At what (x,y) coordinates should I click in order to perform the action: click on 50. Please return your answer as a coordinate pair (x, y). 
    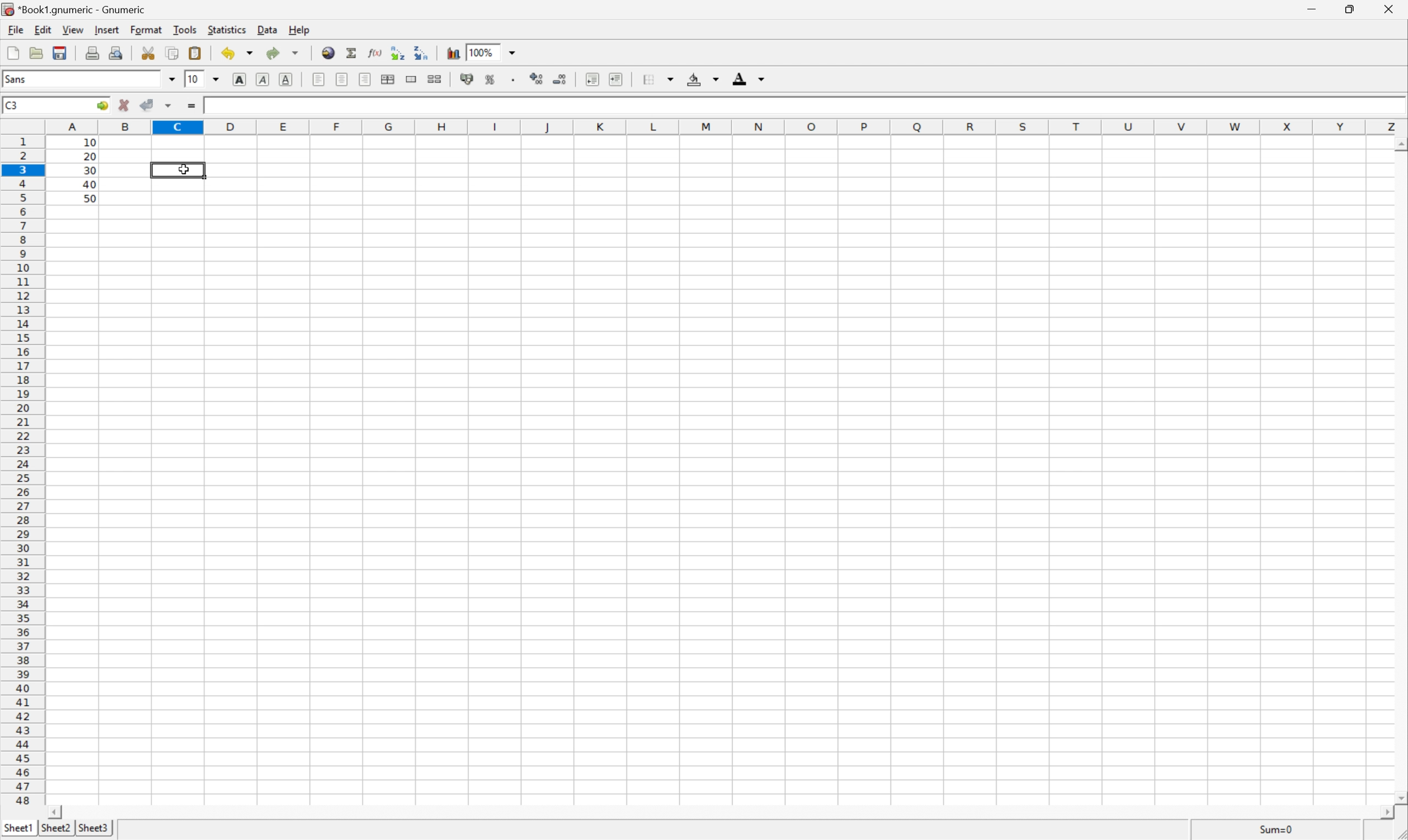
    Looking at the image, I should click on (89, 198).